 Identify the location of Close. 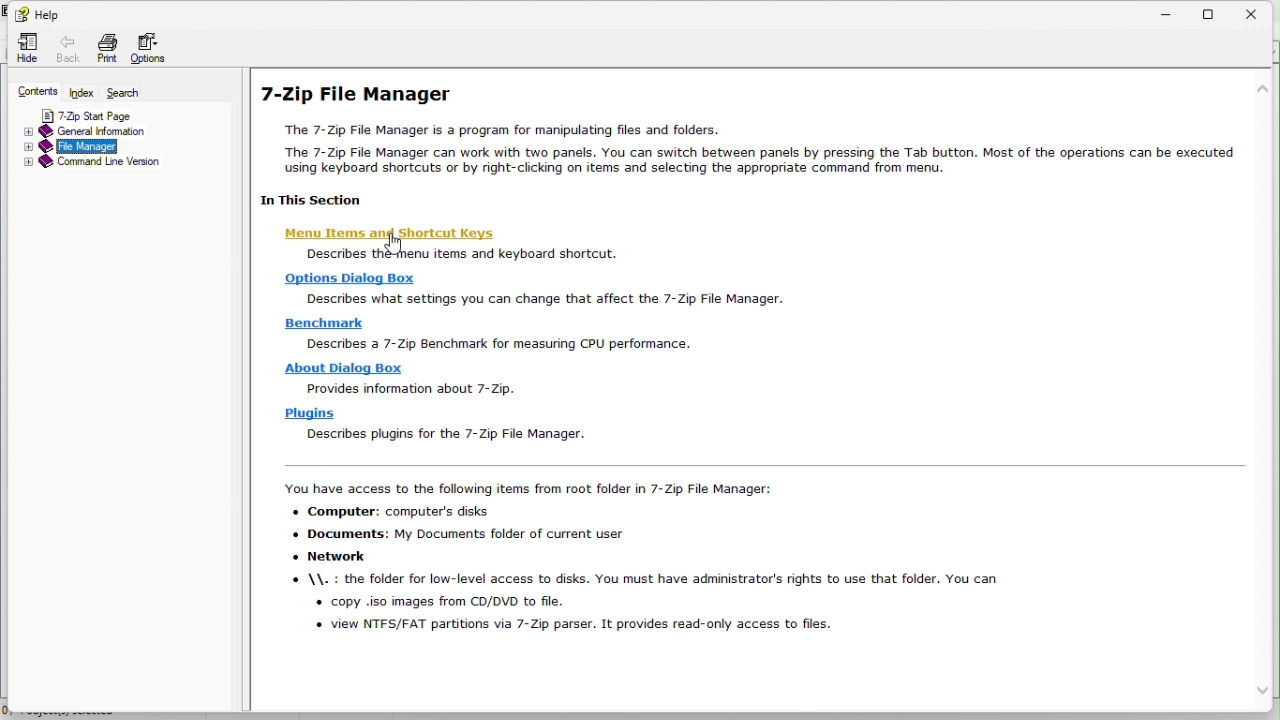
(1258, 12).